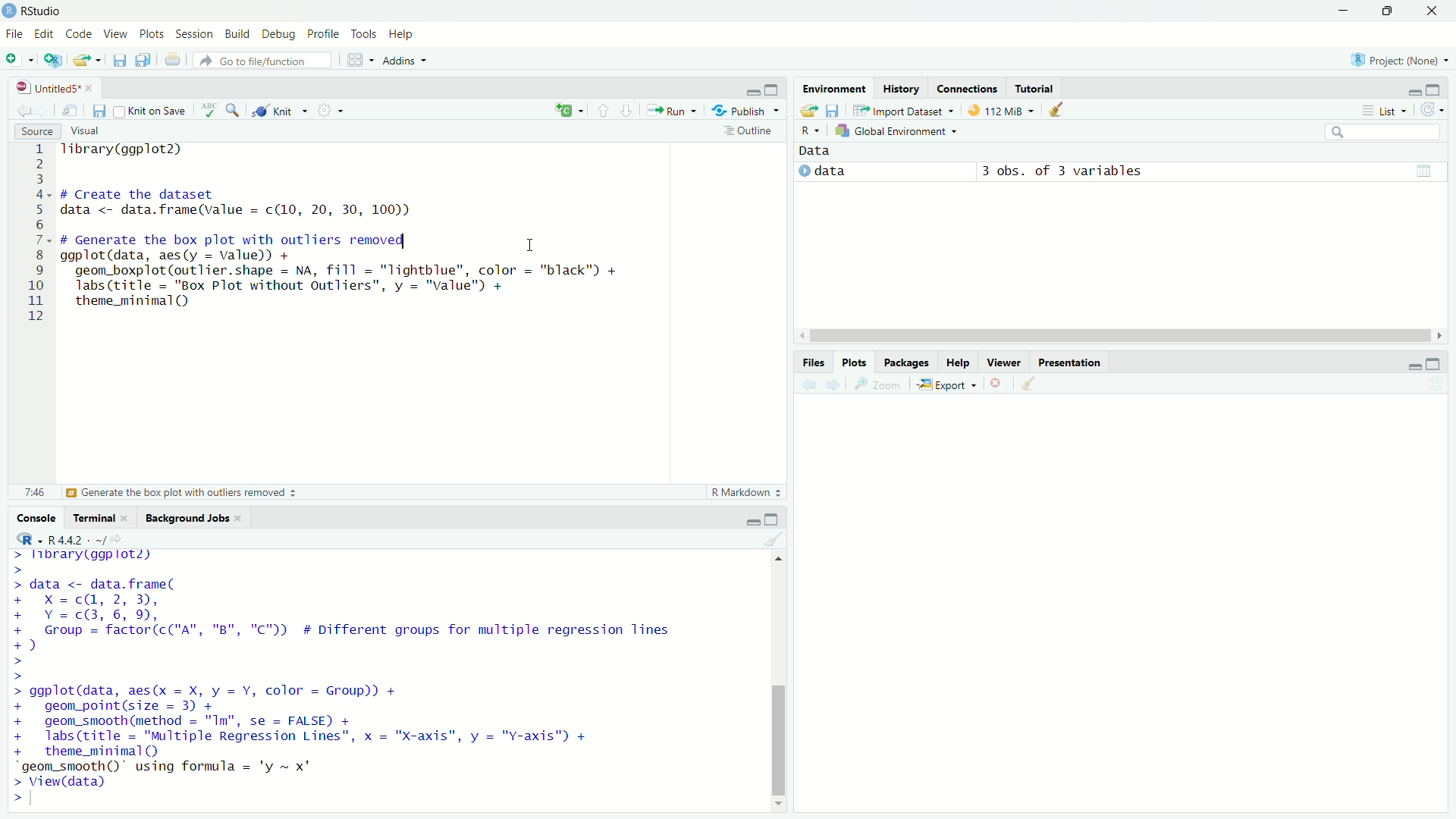  I want to click on maximise, so click(774, 89).